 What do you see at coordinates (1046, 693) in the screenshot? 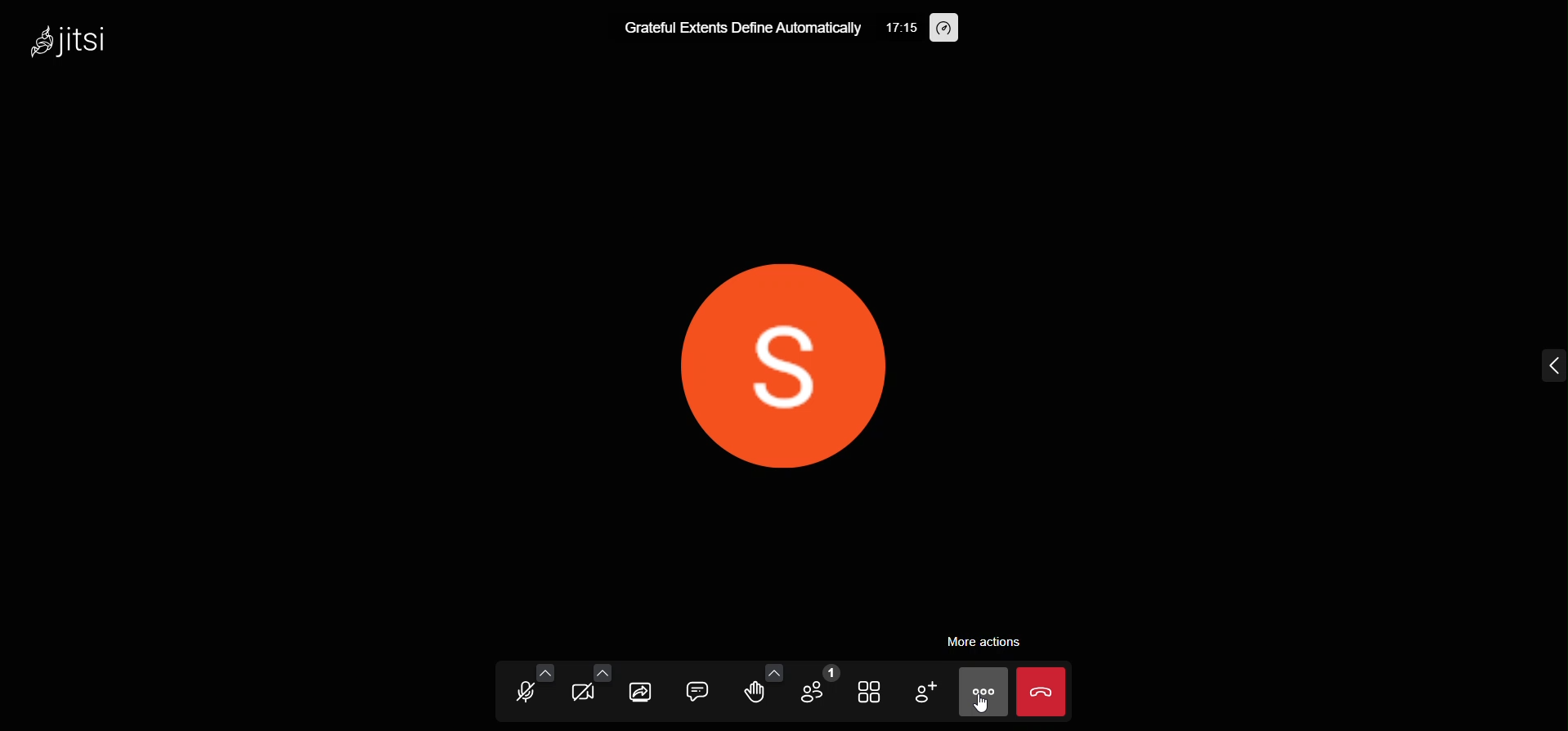
I see `leave the meeting` at bounding box center [1046, 693].